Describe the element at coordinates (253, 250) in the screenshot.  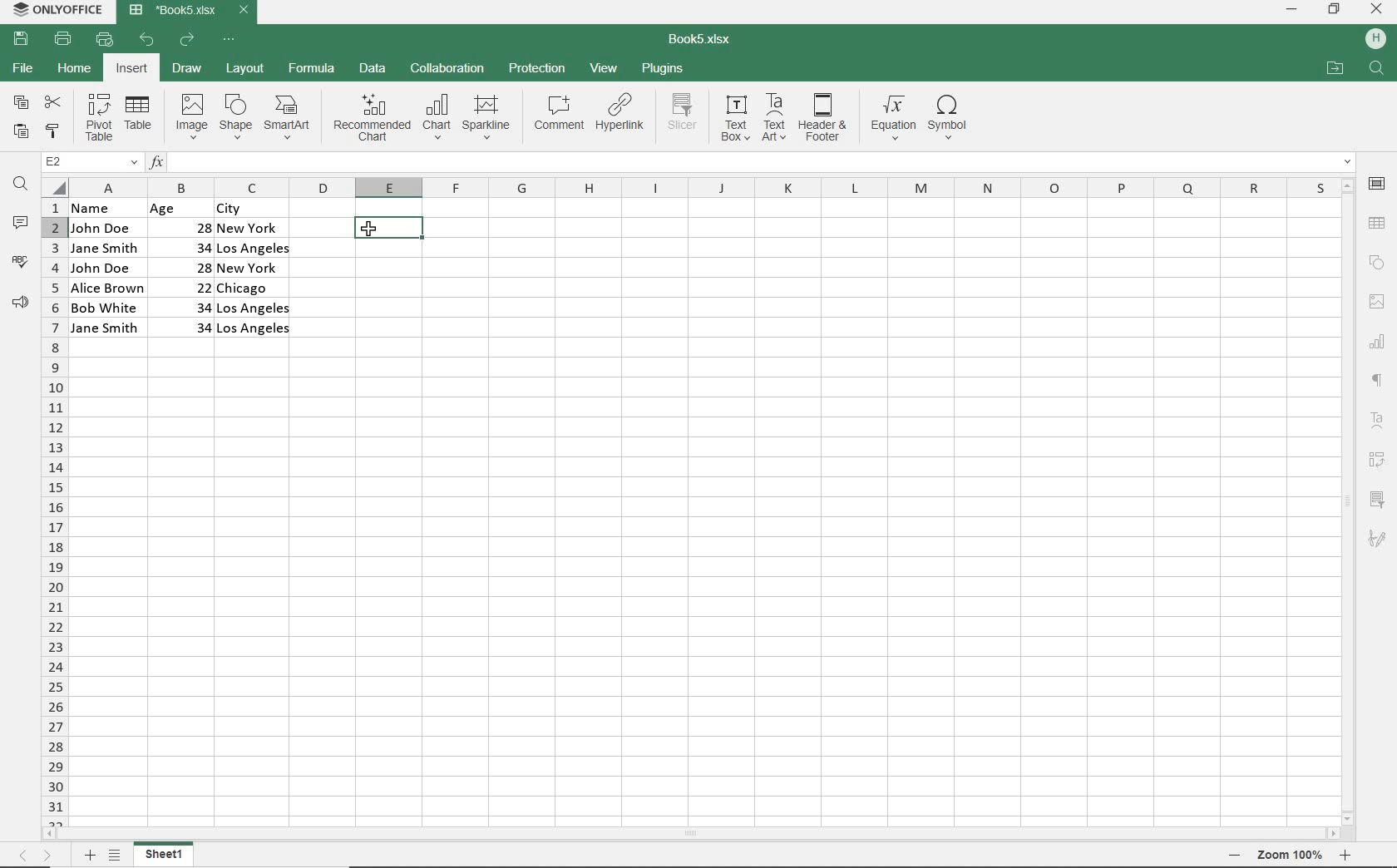
I see `Los Angeles` at that location.